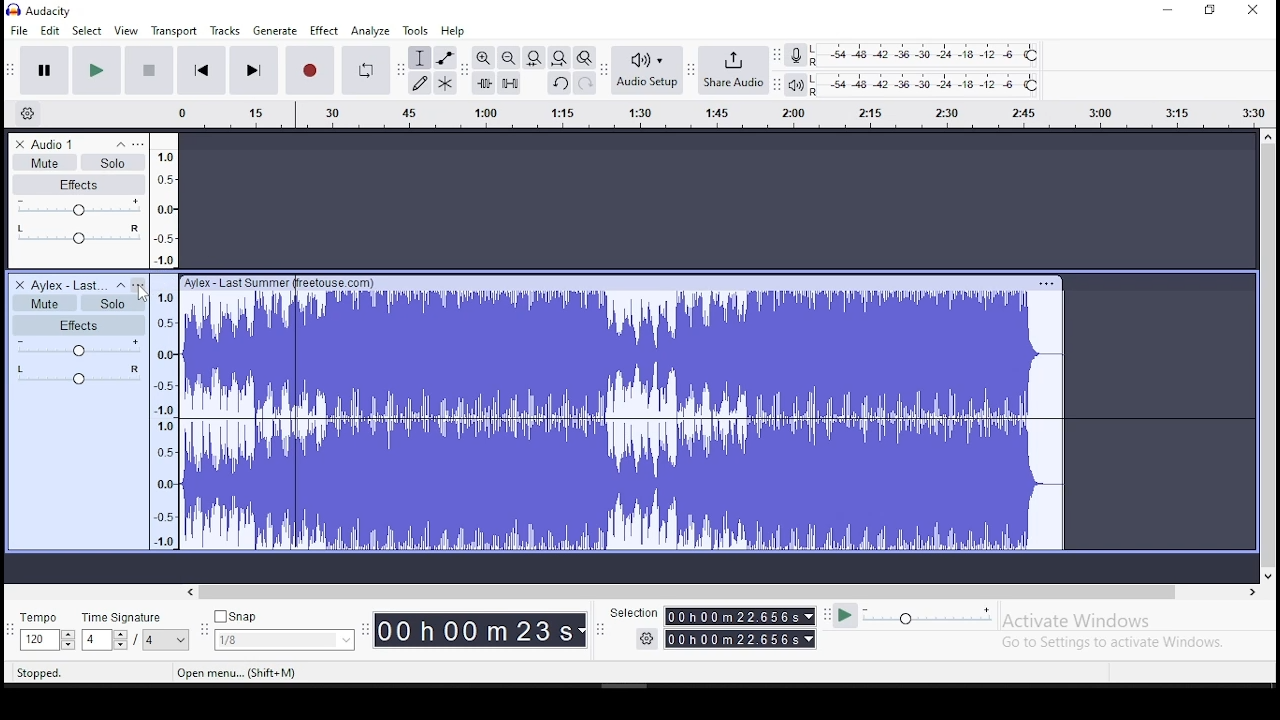  What do you see at coordinates (253, 72) in the screenshot?
I see `skip to end` at bounding box center [253, 72].